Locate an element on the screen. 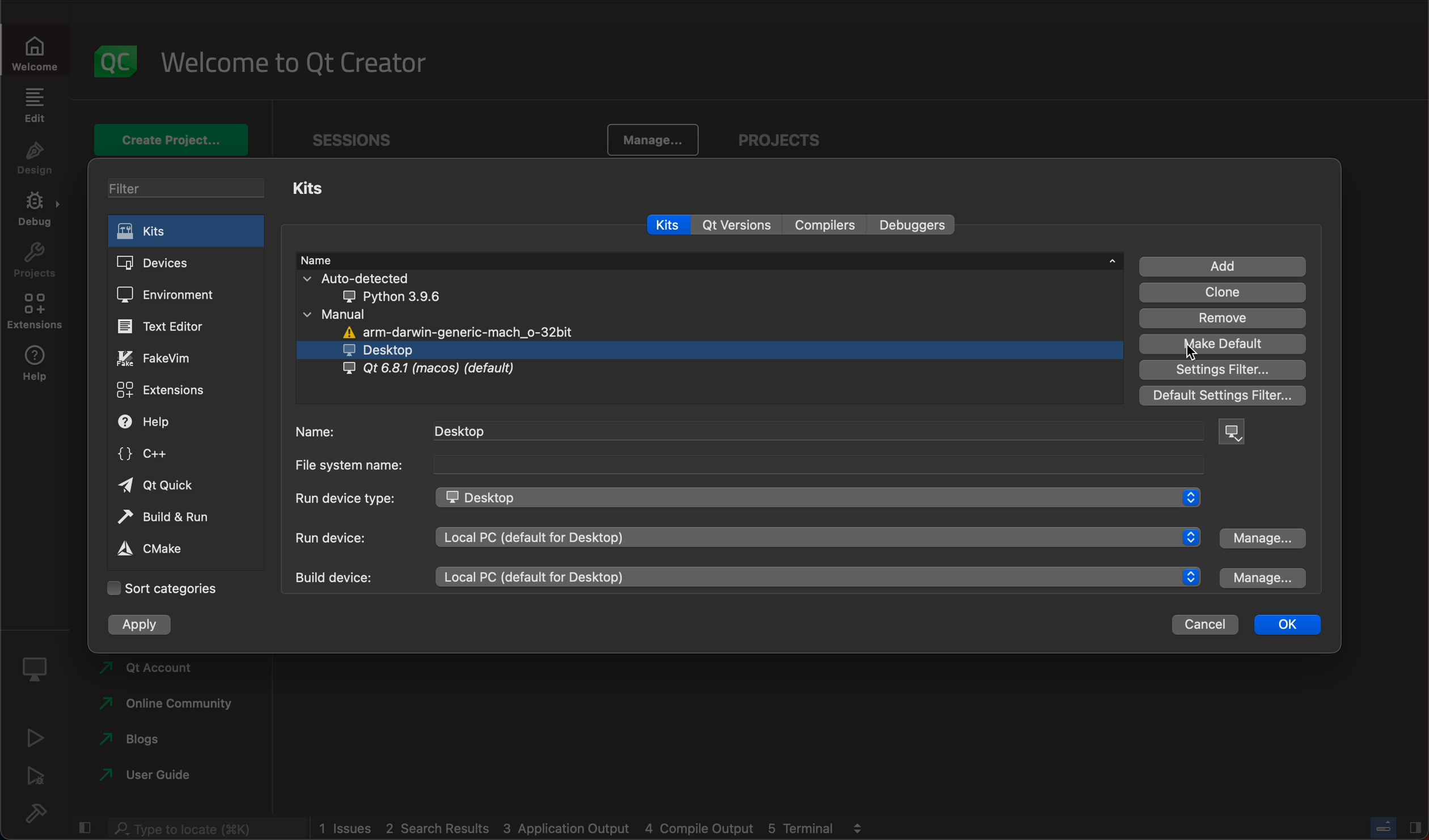  device is located at coordinates (1234, 430).